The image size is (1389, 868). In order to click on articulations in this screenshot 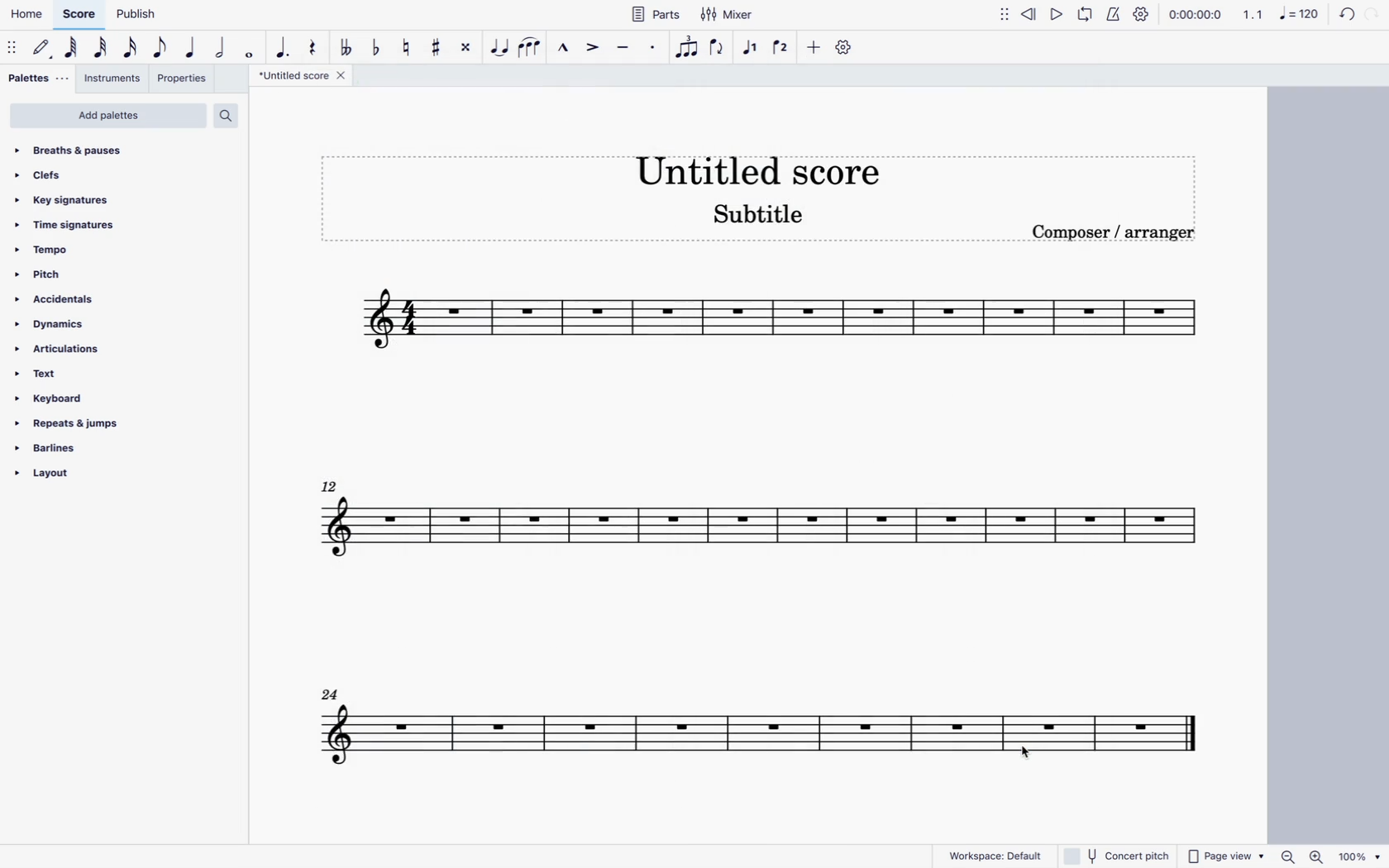, I will do `click(63, 351)`.